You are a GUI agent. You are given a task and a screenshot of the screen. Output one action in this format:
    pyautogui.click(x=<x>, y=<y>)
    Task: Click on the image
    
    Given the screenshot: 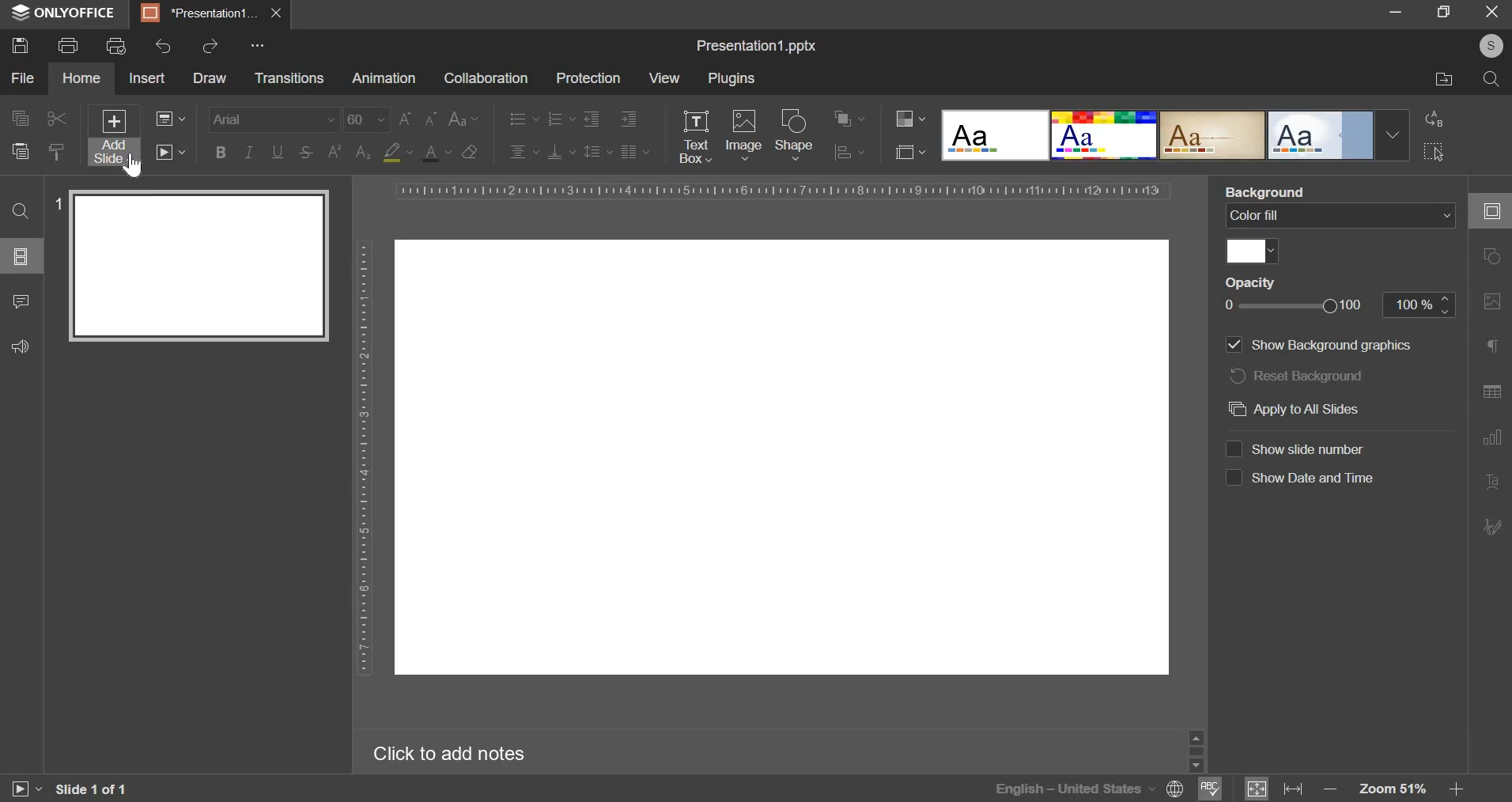 What is the action you would take?
    pyautogui.click(x=744, y=133)
    